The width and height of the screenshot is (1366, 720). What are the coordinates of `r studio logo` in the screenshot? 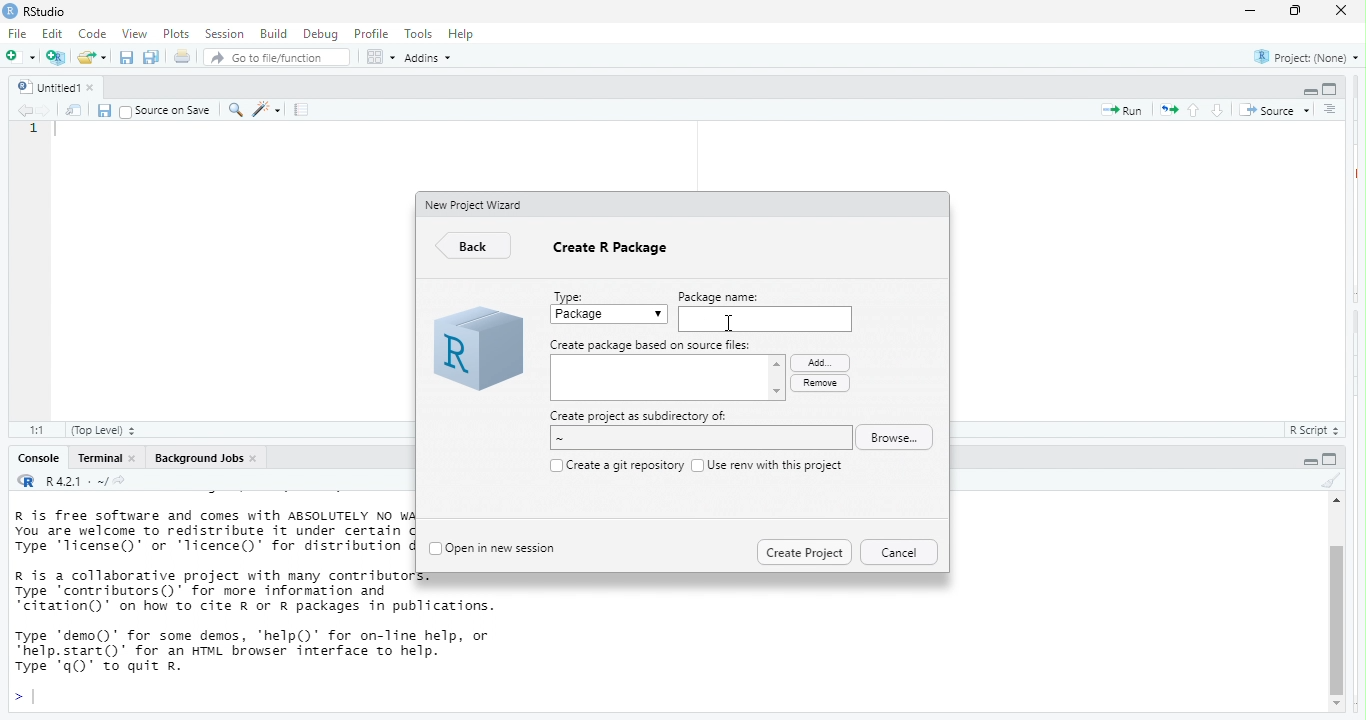 It's located at (9, 11).